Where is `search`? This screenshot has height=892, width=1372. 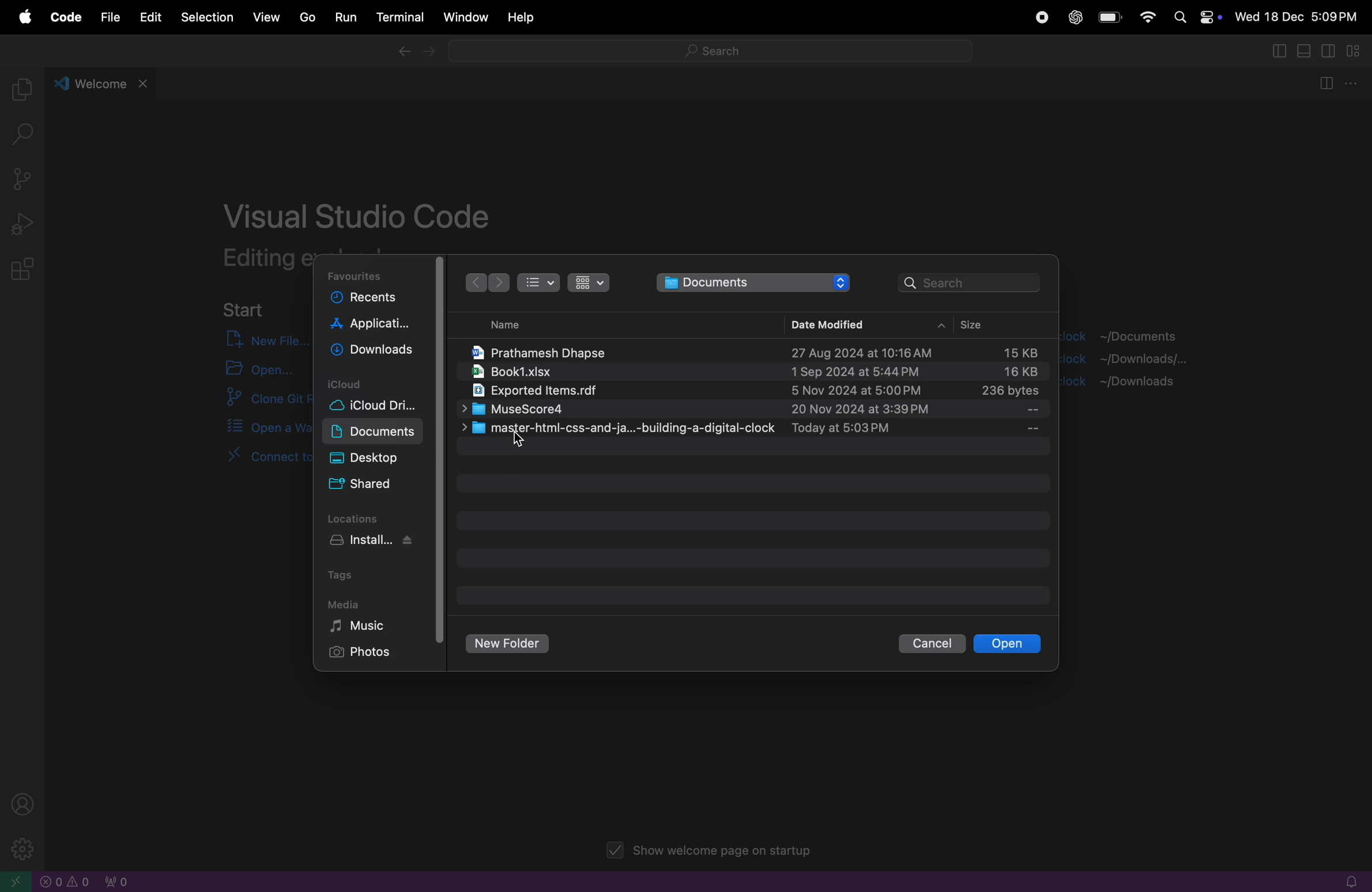
search is located at coordinates (971, 281).